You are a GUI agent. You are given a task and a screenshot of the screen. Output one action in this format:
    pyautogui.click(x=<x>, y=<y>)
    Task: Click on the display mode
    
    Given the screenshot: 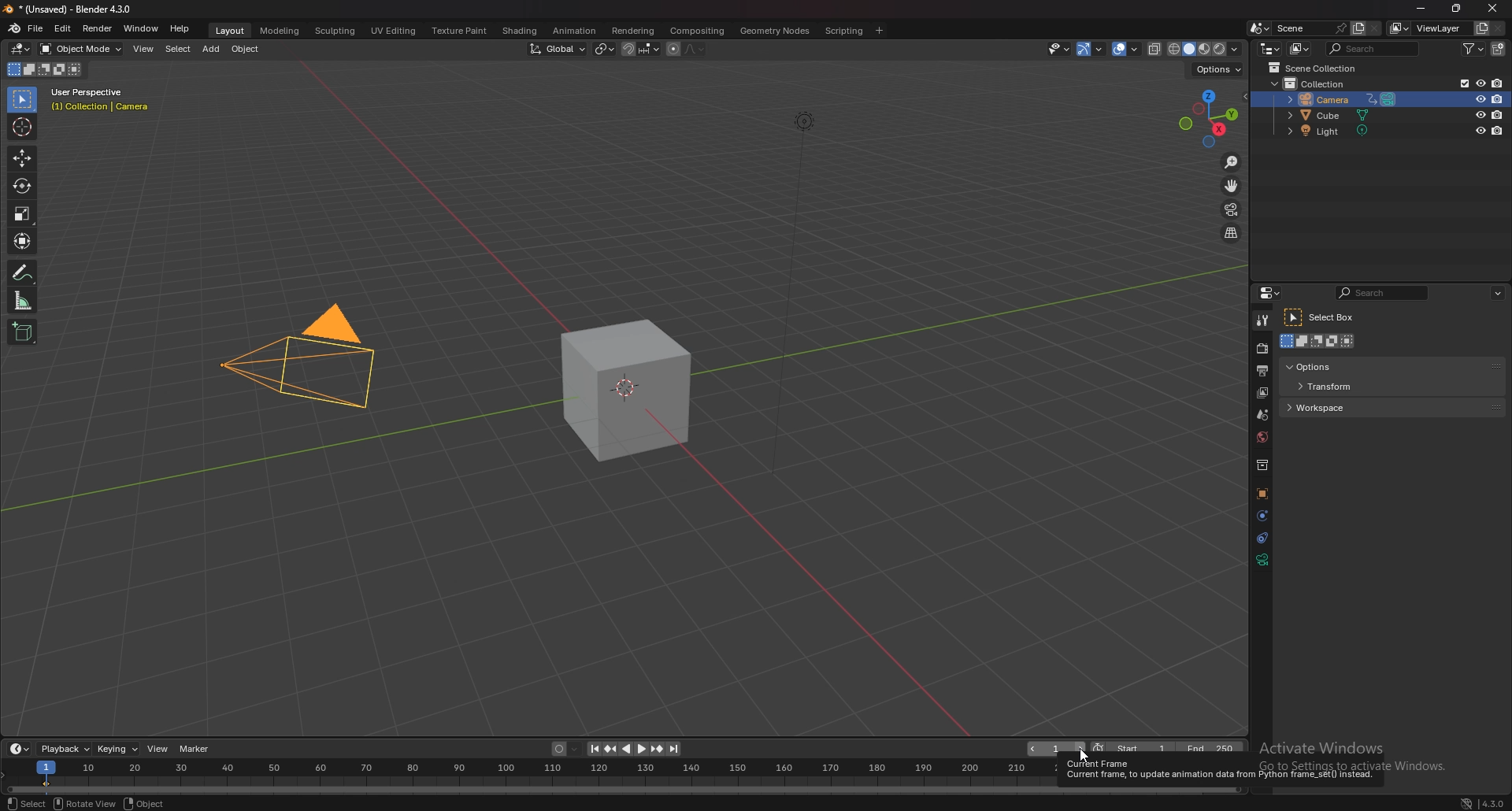 What is the action you would take?
    pyautogui.click(x=1299, y=49)
    